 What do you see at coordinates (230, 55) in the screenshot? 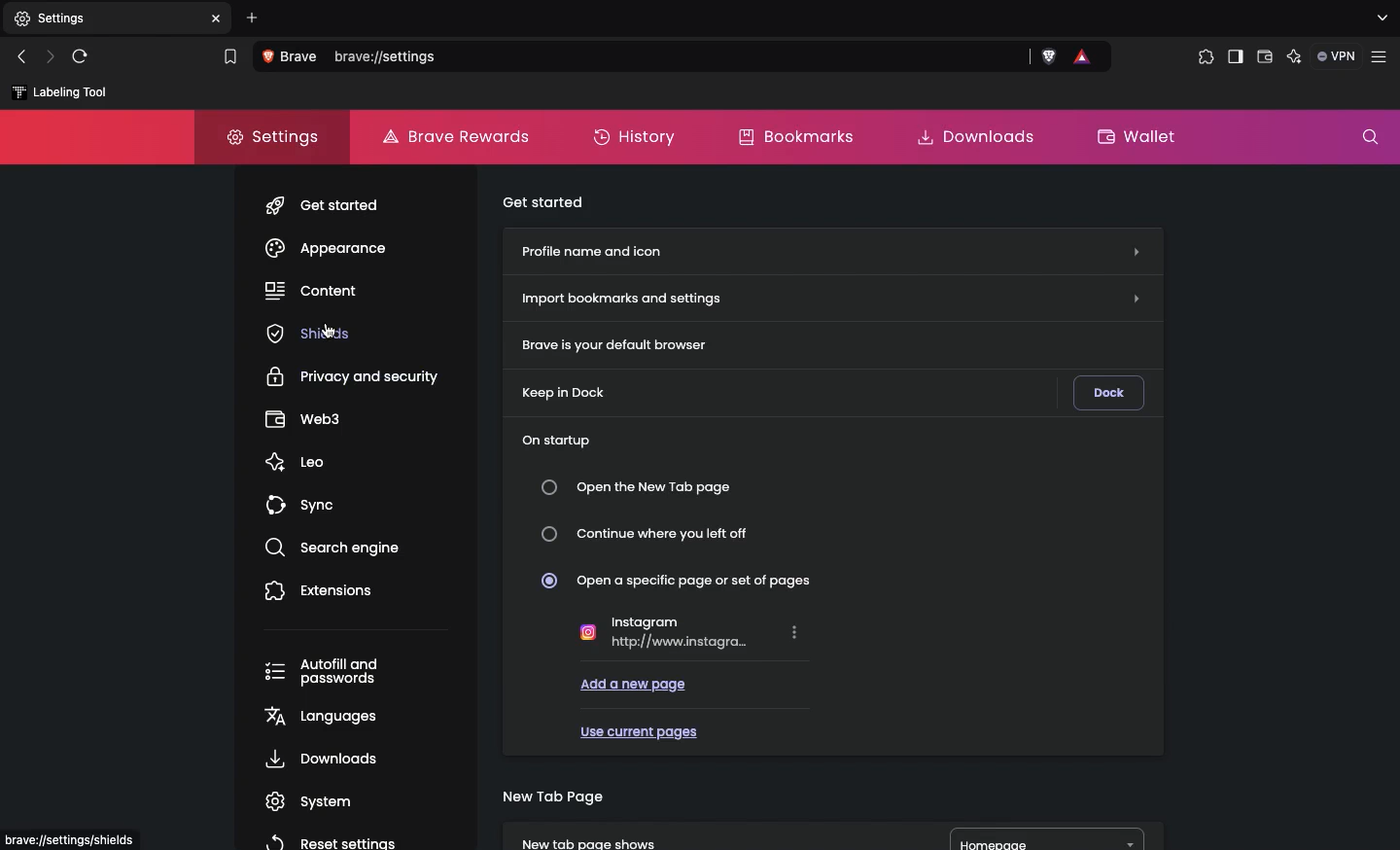
I see `bookmark this tab` at bounding box center [230, 55].